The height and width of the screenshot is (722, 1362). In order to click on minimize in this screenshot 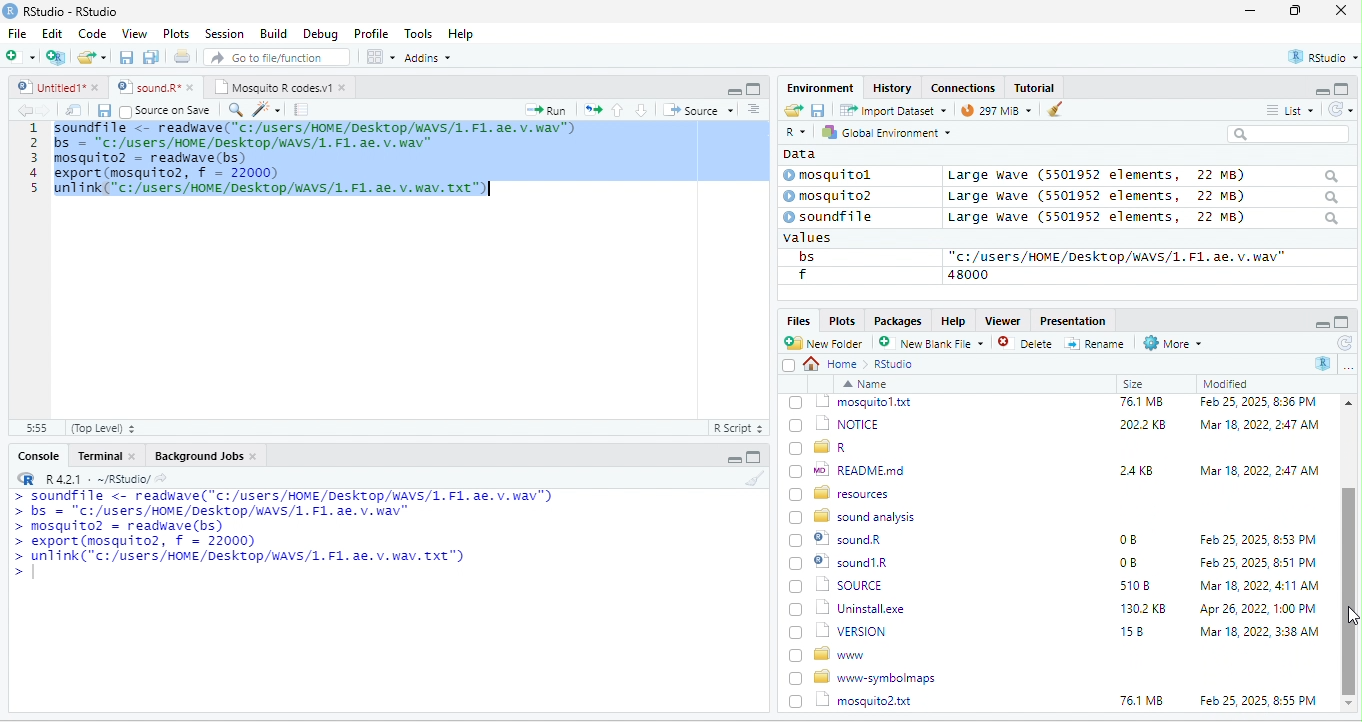, I will do `click(731, 460)`.